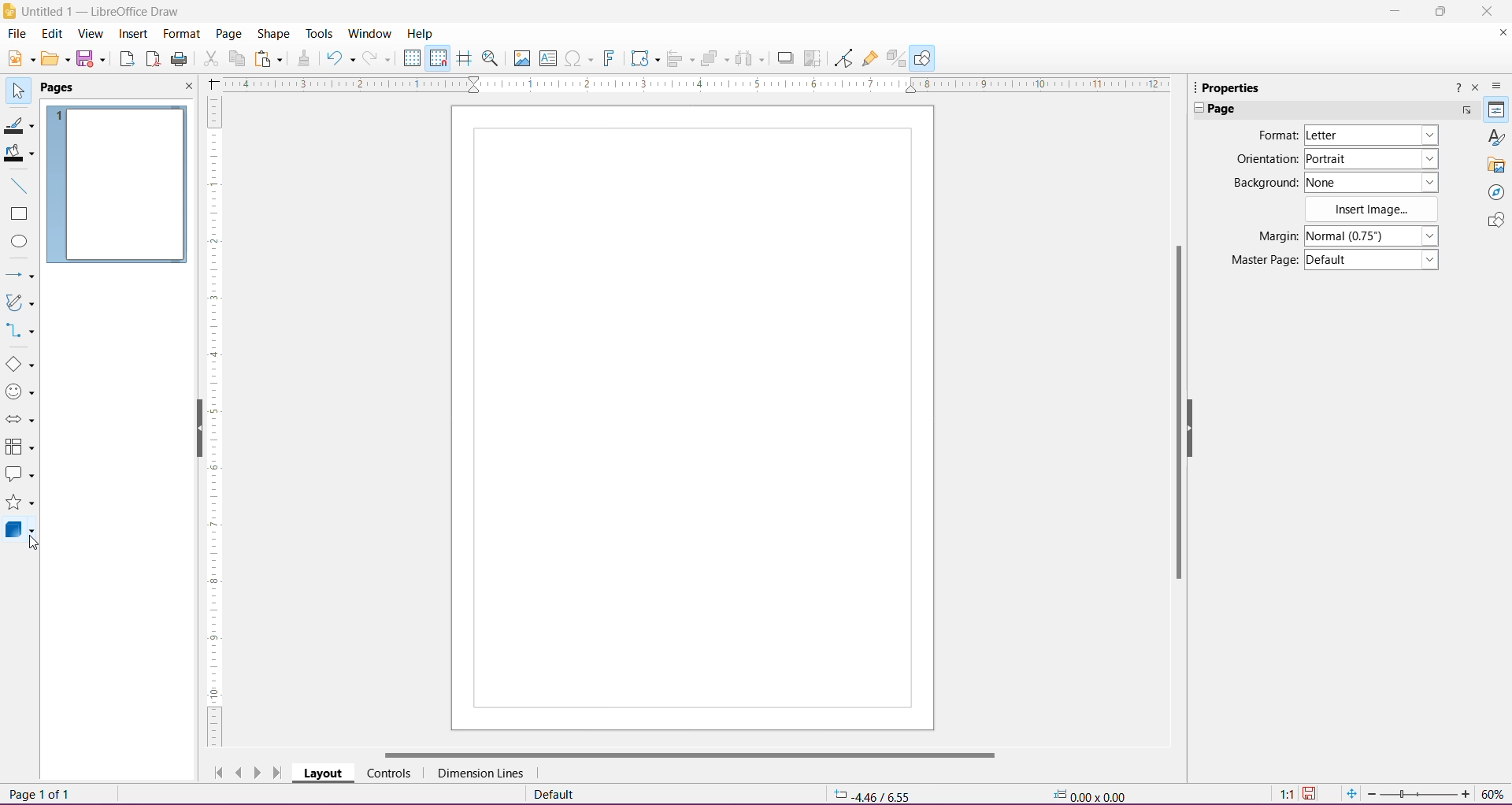 This screenshot has height=805, width=1512. Describe the element at coordinates (369, 34) in the screenshot. I see `Window` at that location.